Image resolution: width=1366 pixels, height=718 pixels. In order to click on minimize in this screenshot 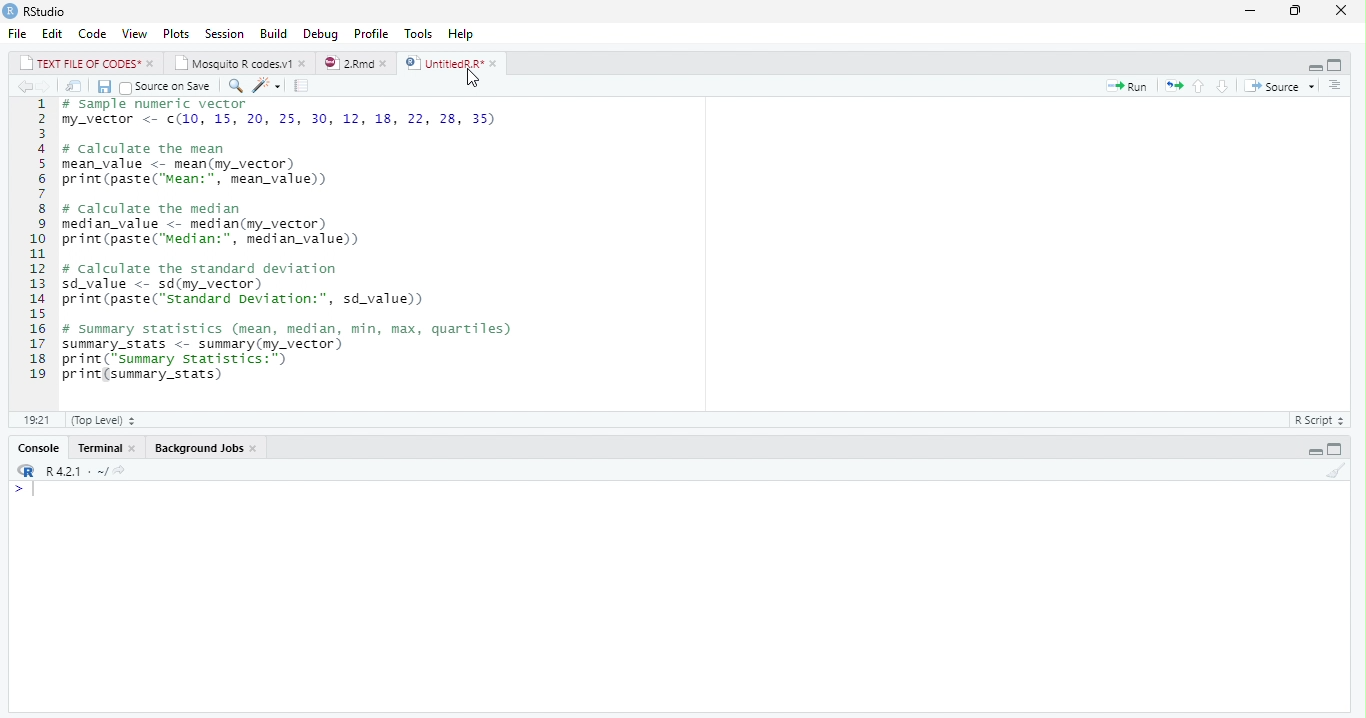, I will do `click(1315, 66)`.